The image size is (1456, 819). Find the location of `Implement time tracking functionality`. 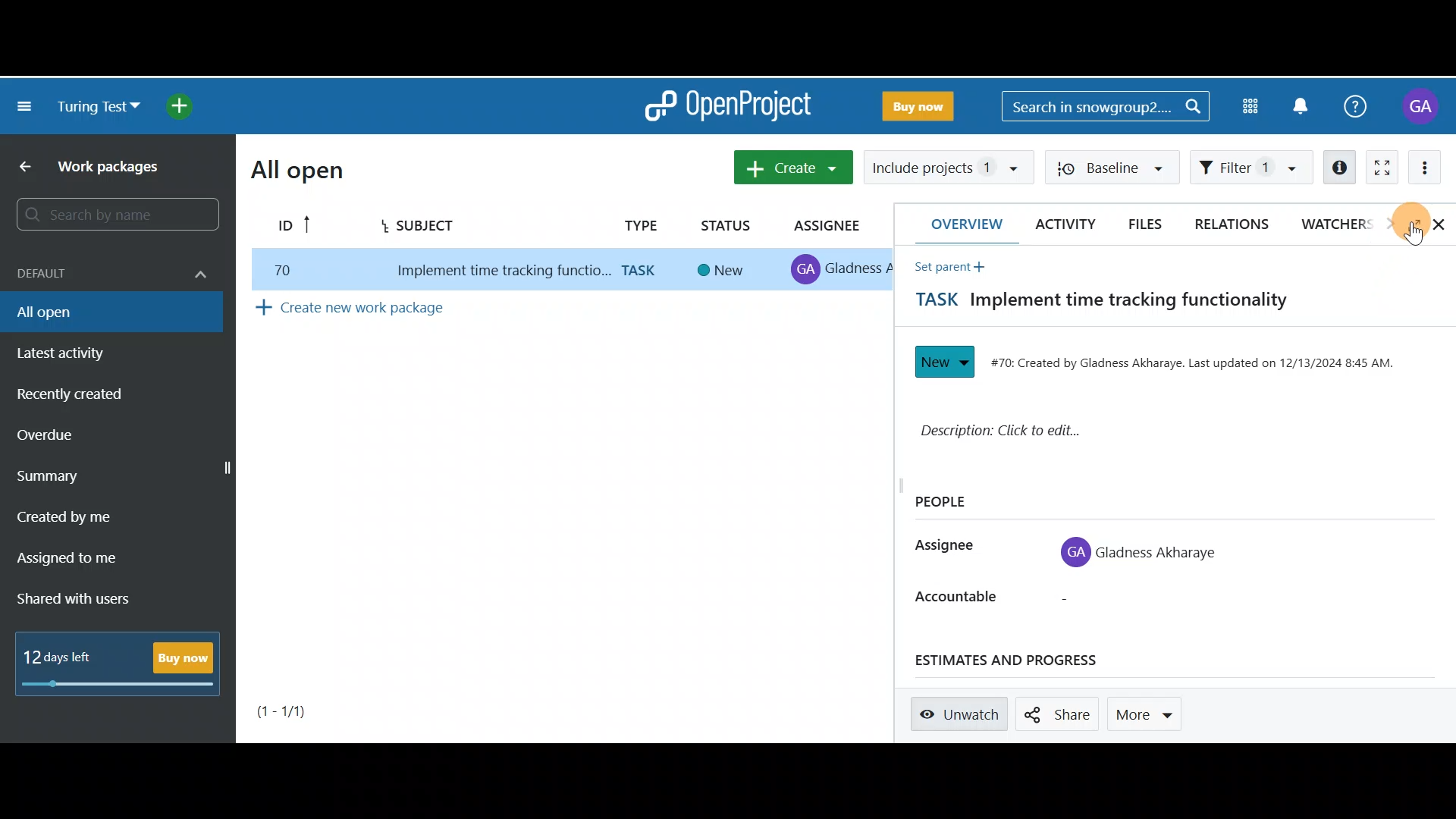

Implement time tracking functionality is located at coordinates (533, 271).